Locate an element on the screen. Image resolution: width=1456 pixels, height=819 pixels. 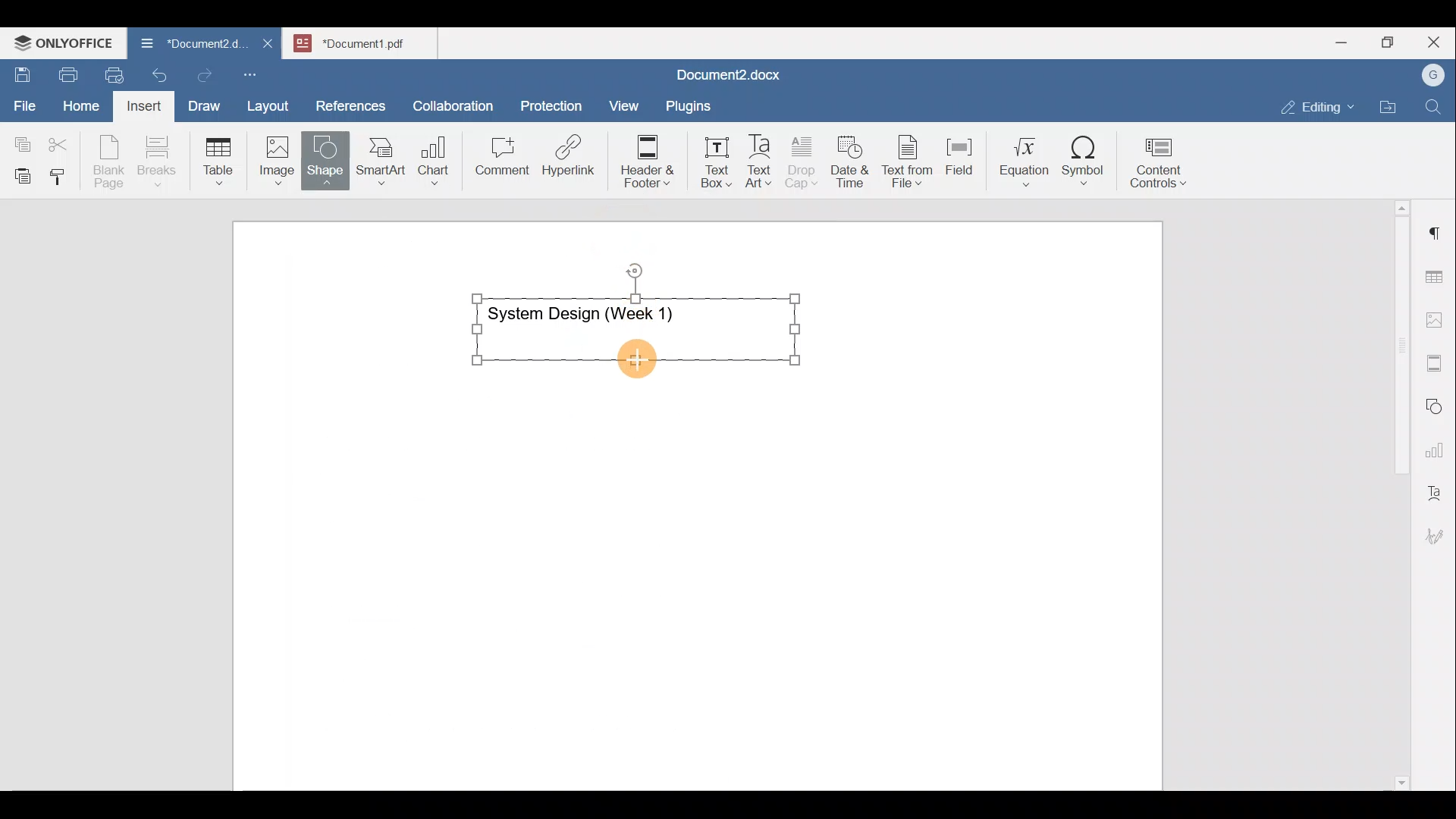
Layout is located at coordinates (271, 103).